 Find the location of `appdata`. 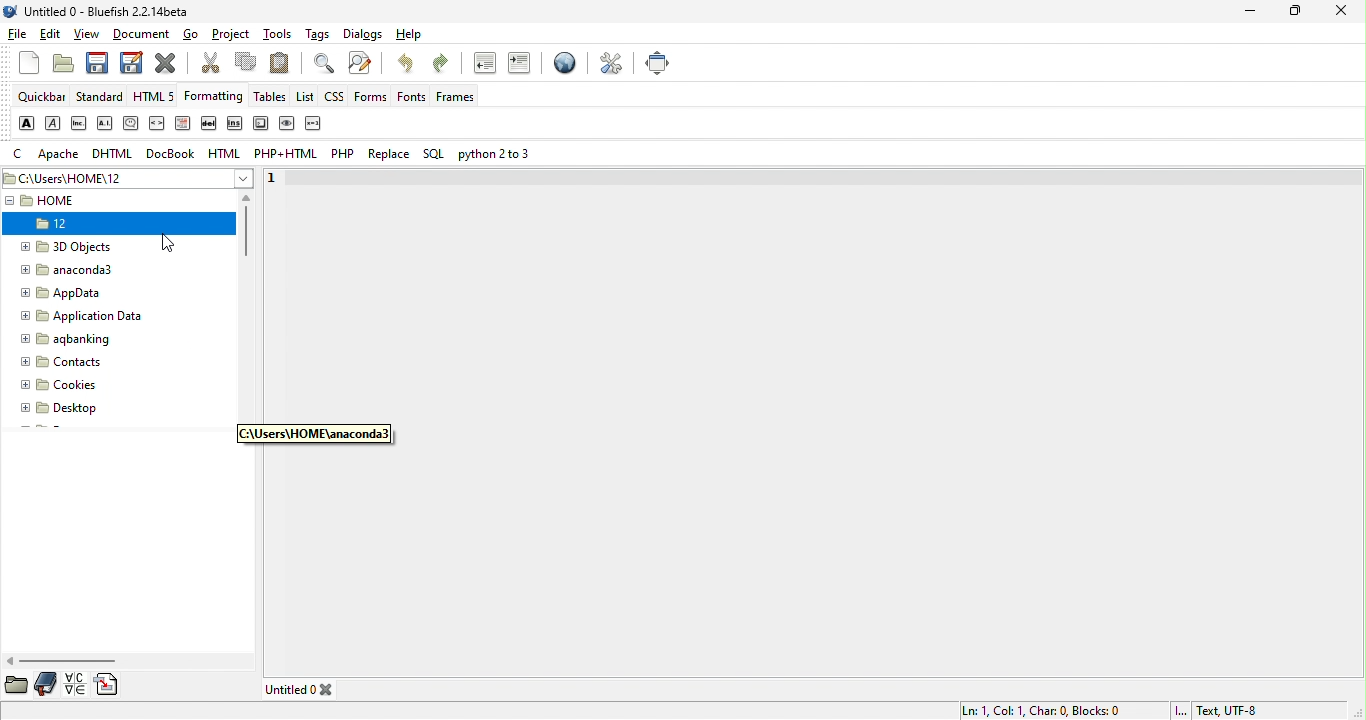

appdata is located at coordinates (67, 294).